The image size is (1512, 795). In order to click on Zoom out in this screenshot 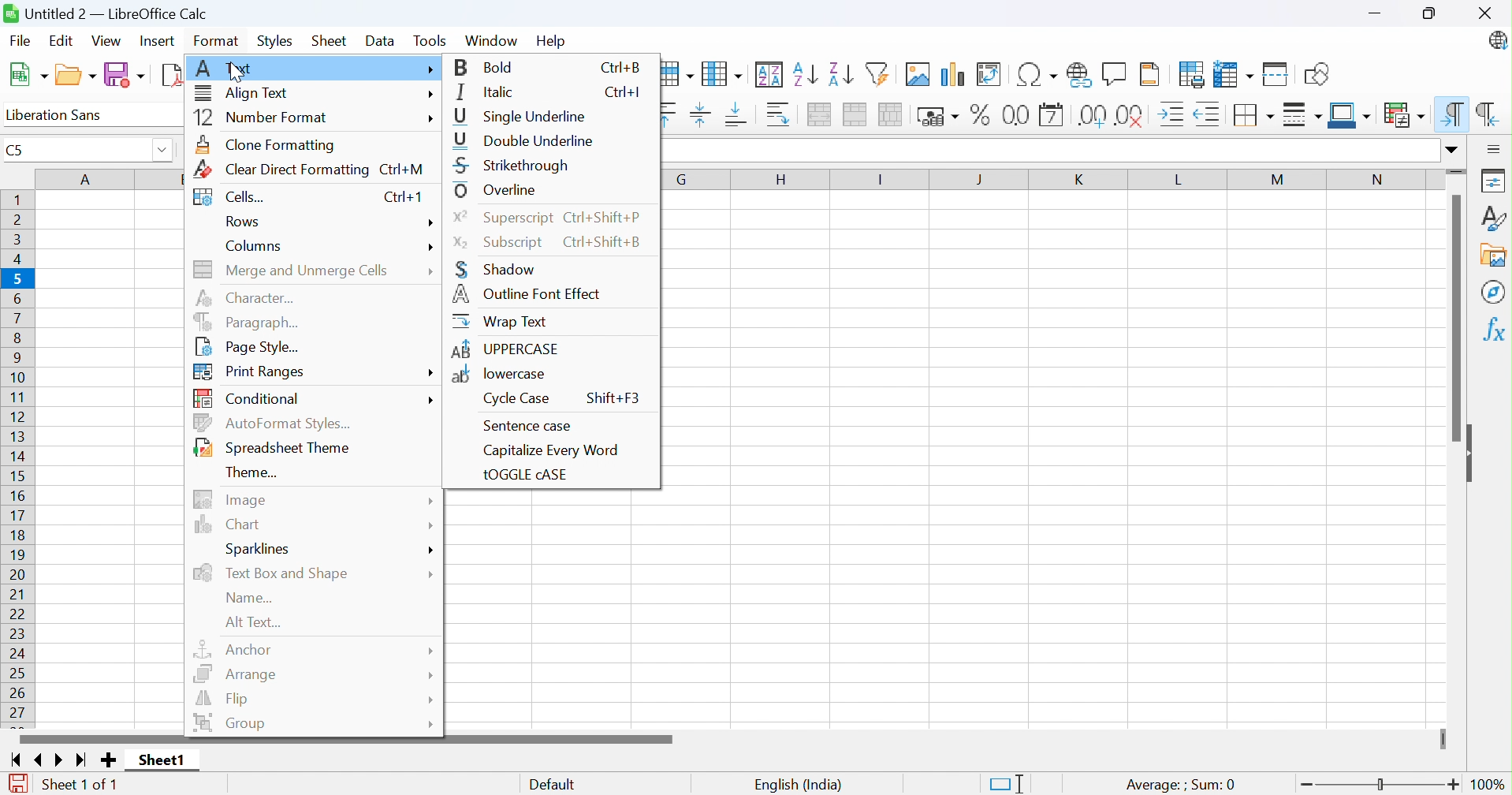, I will do `click(1309, 783)`.